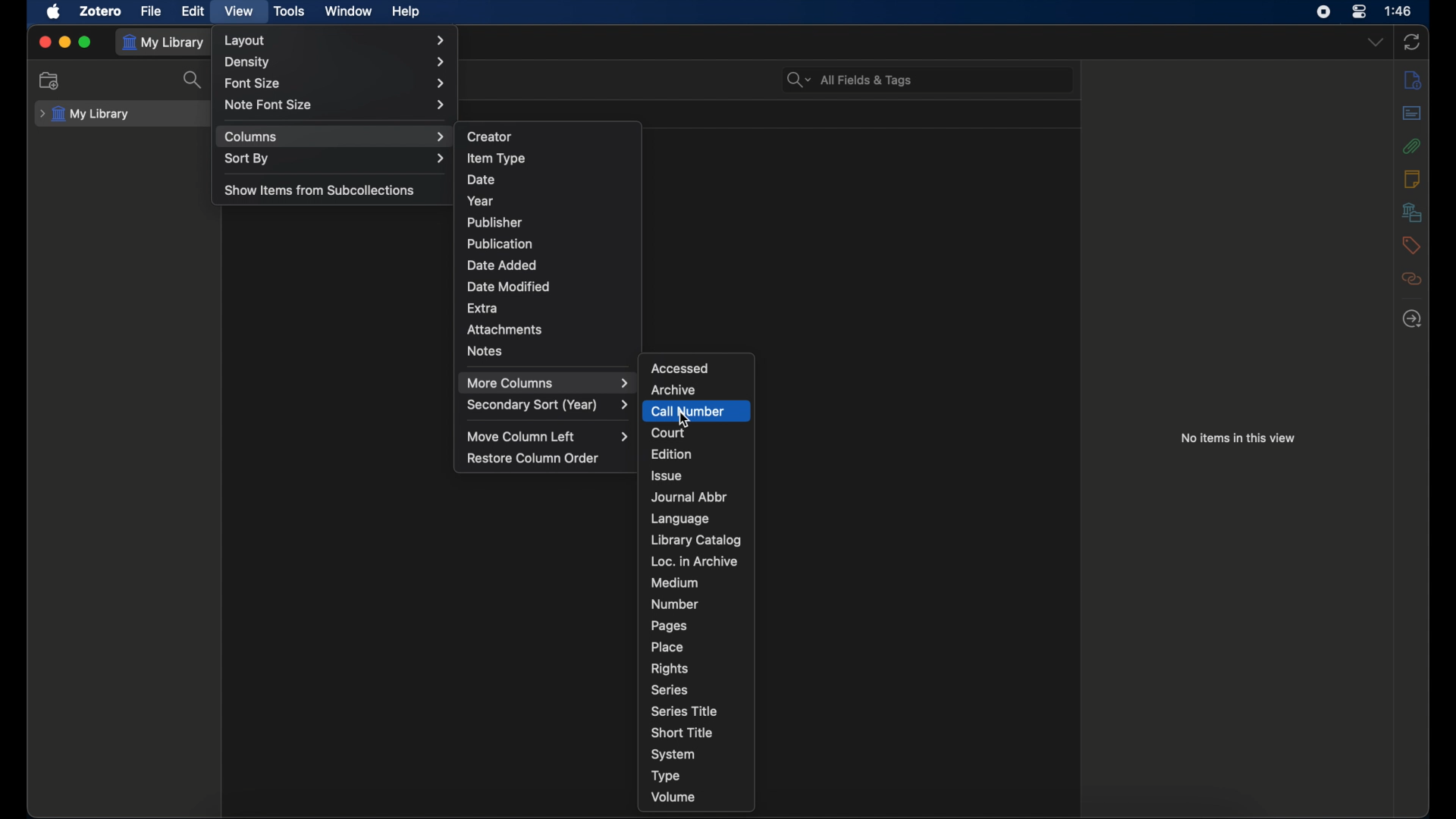  I want to click on locate, so click(1411, 319).